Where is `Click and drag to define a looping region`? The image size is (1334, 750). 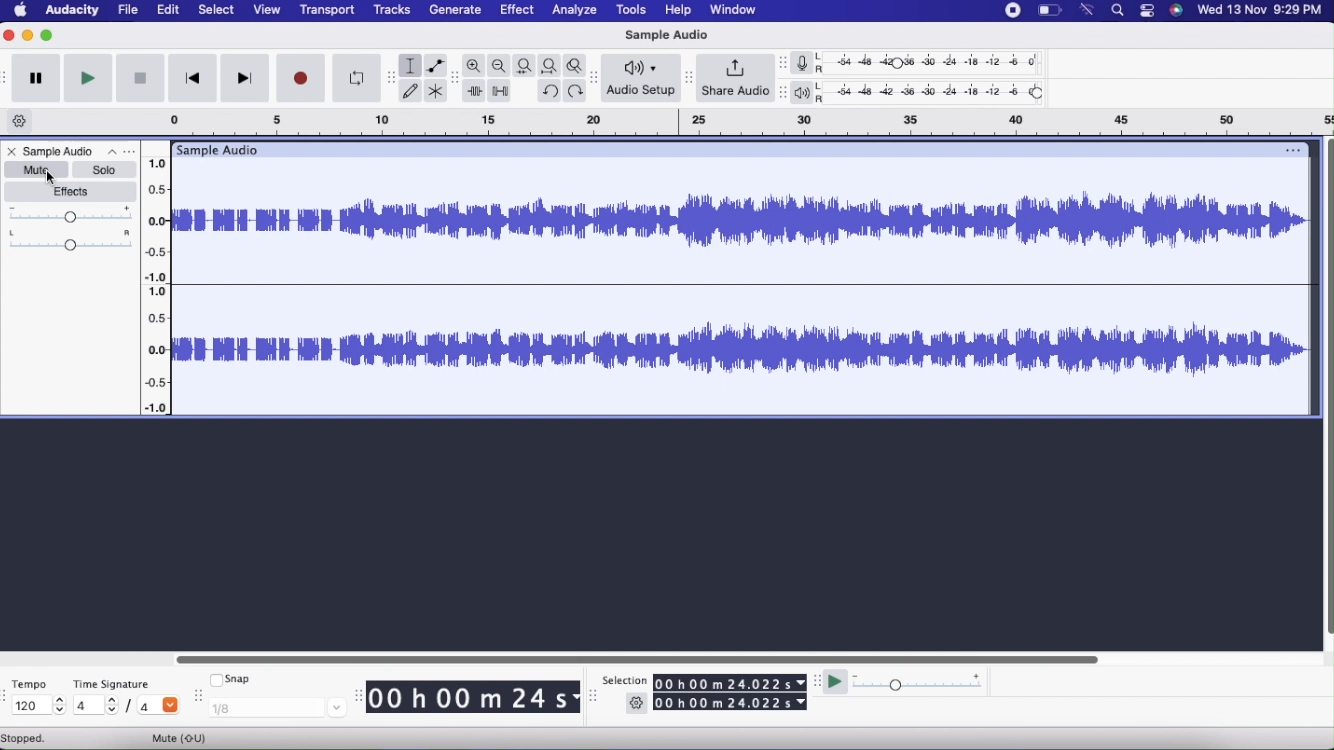
Click and drag to define a looping region is located at coordinates (740, 123).